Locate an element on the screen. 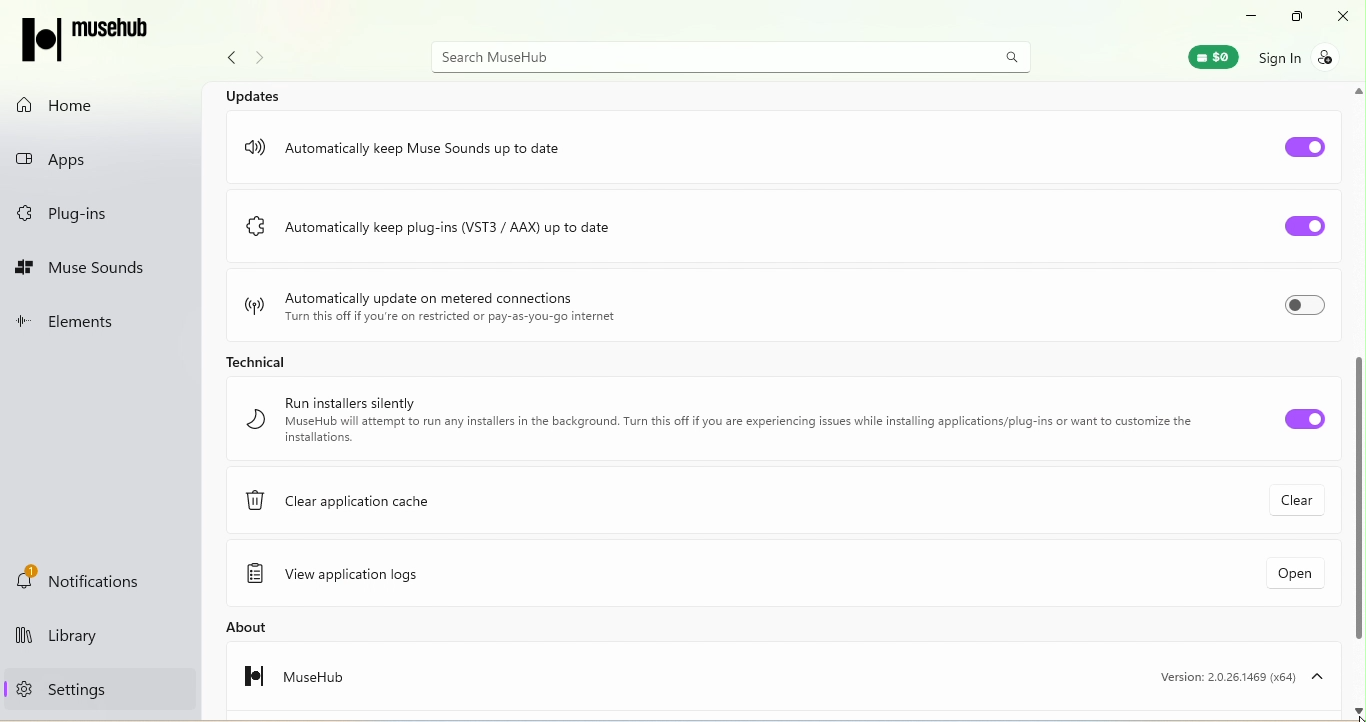 This screenshot has width=1366, height=722. Open is located at coordinates (1276, 578).